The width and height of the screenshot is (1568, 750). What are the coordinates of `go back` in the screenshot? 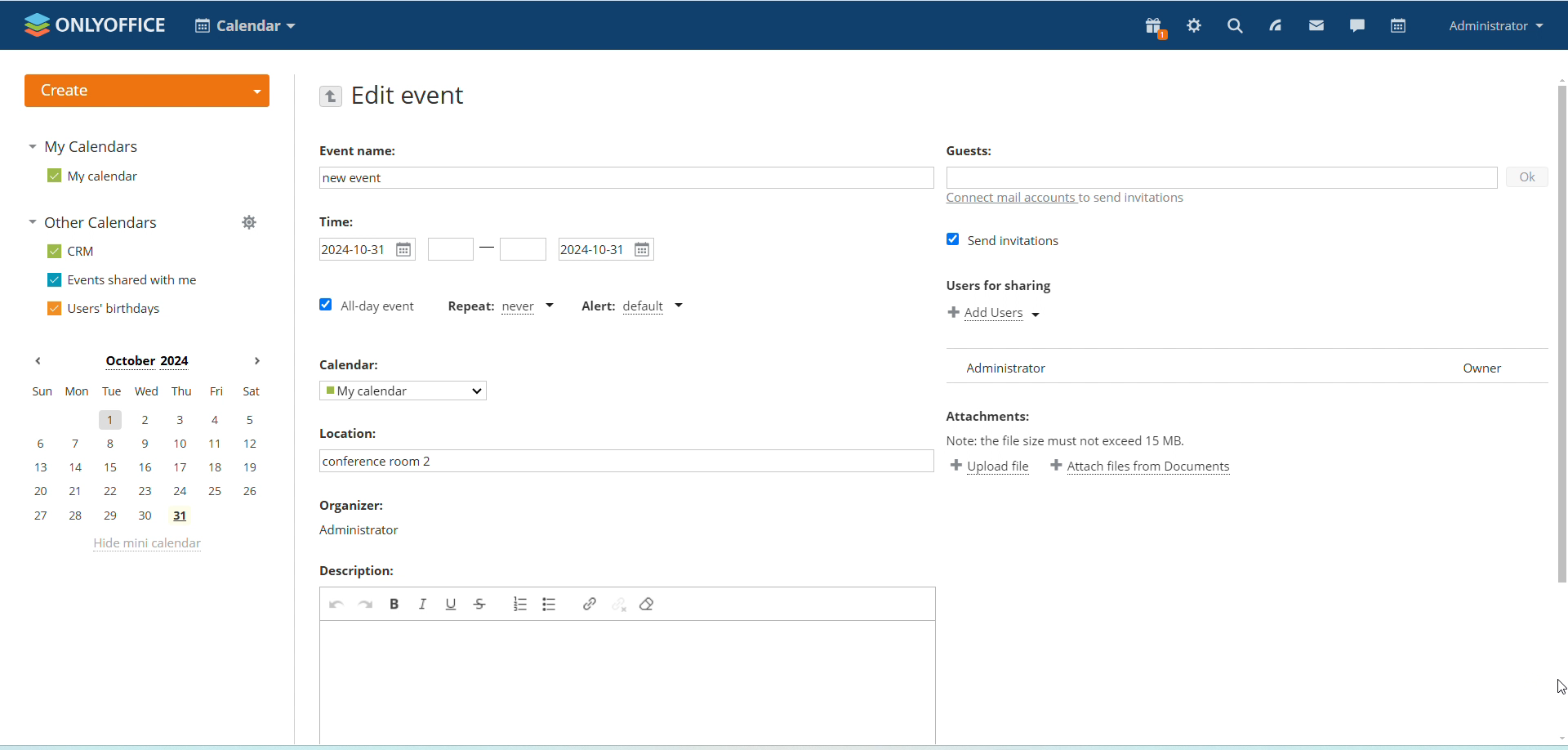 It's located at (331, 97).